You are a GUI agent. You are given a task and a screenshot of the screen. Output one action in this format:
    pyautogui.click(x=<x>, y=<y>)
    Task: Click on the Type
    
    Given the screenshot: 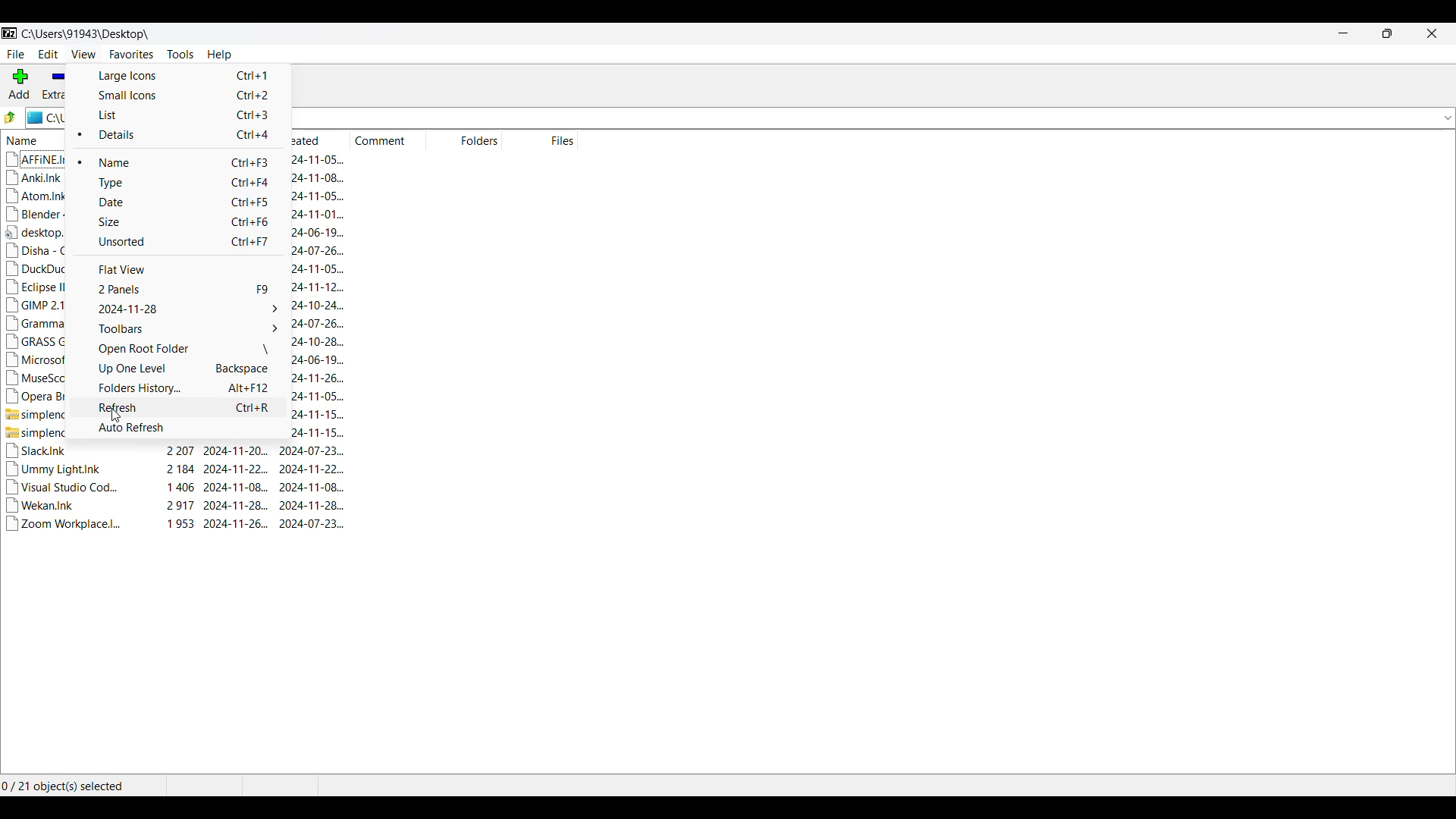 What is the action you would take?
    pyautogui.click(x=176, y=184)
    